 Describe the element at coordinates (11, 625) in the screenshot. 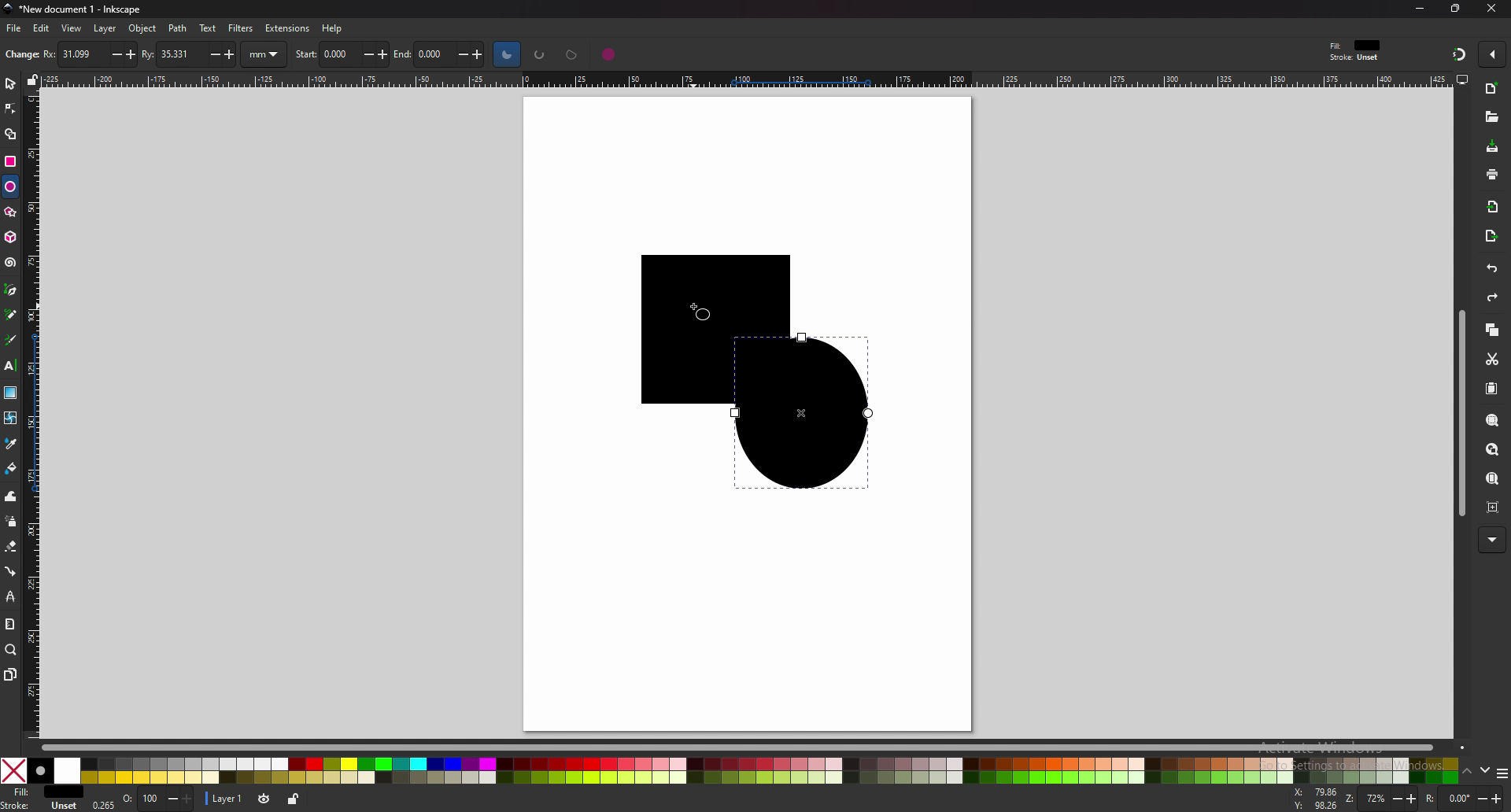

I see `measure` at that location.